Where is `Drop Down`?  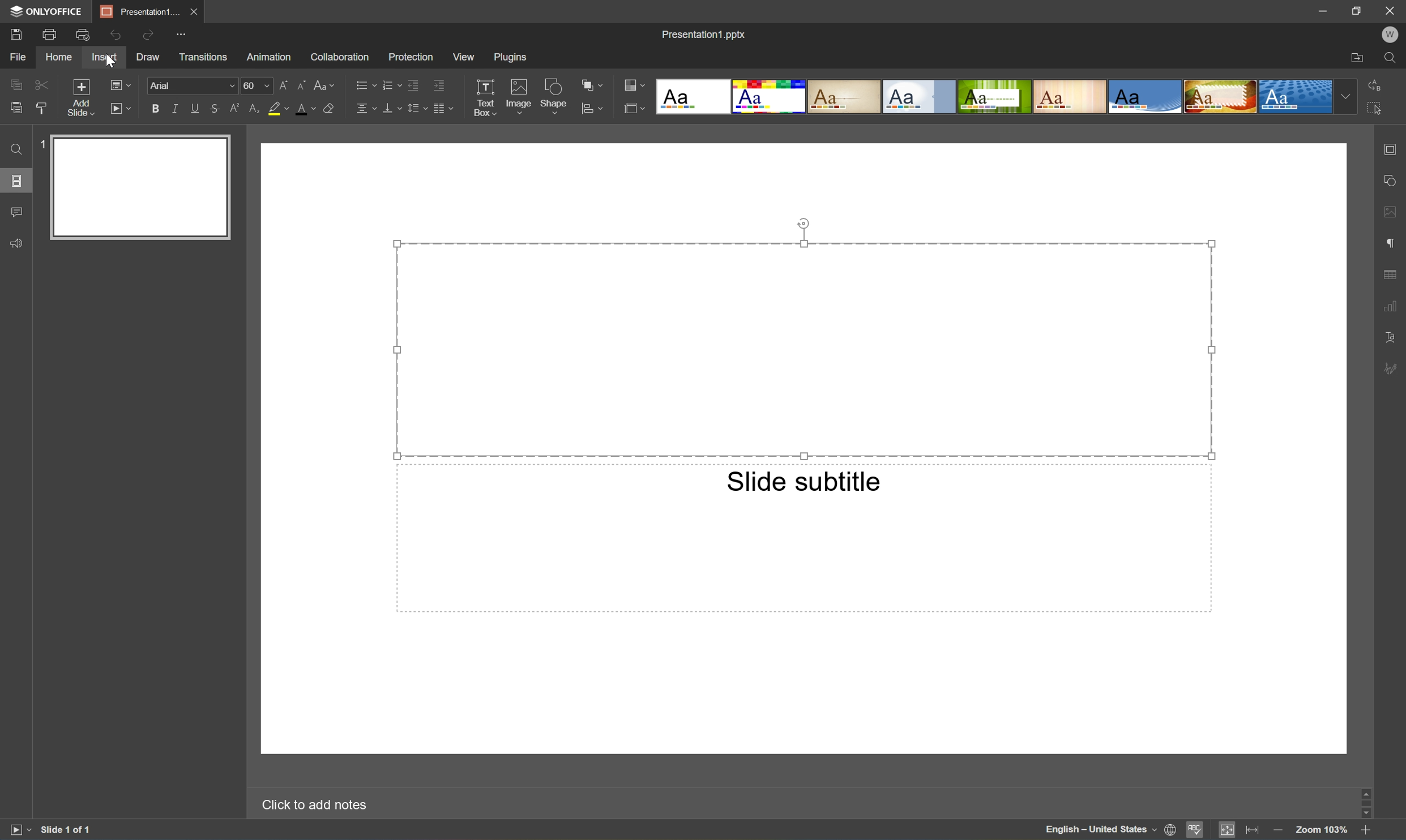 Drop Down is located at coordinates (1344, 97).